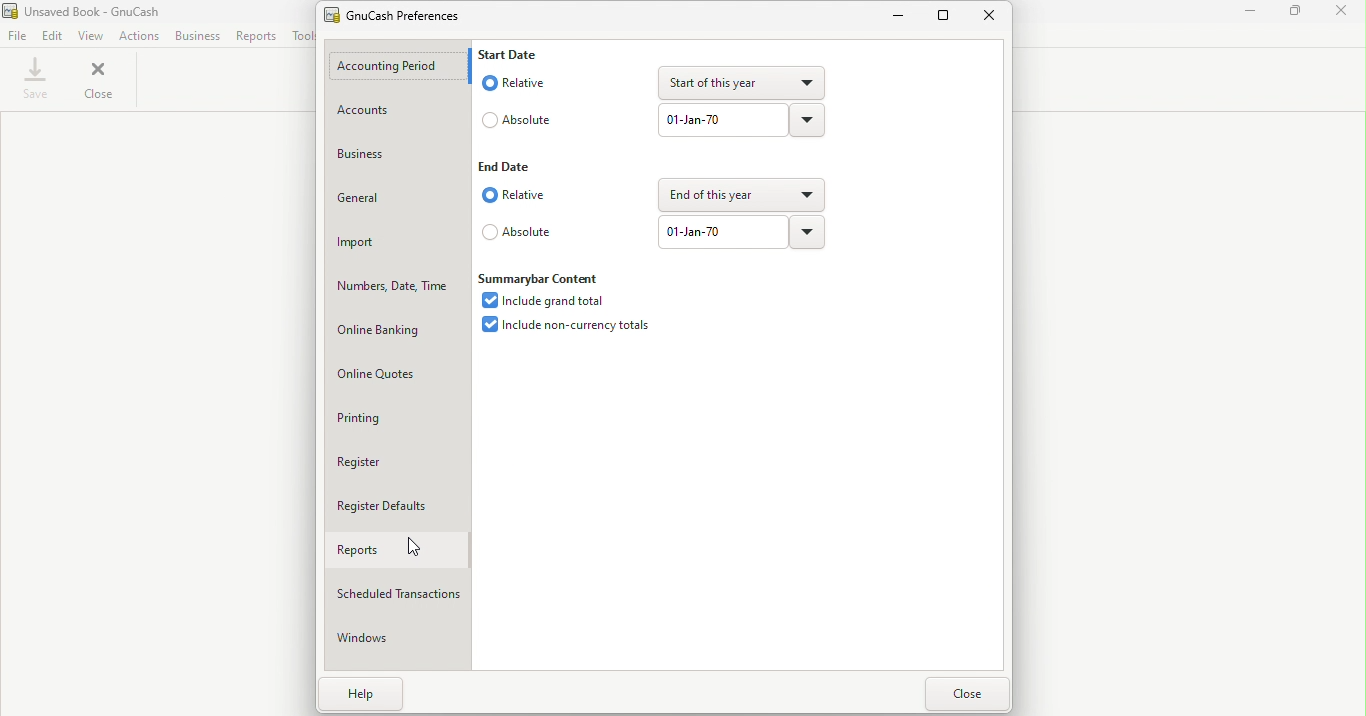  What do you see at coordinates (547, 301) in the screenshot?
I see `Include grand total` at bounding box center [547, 301].